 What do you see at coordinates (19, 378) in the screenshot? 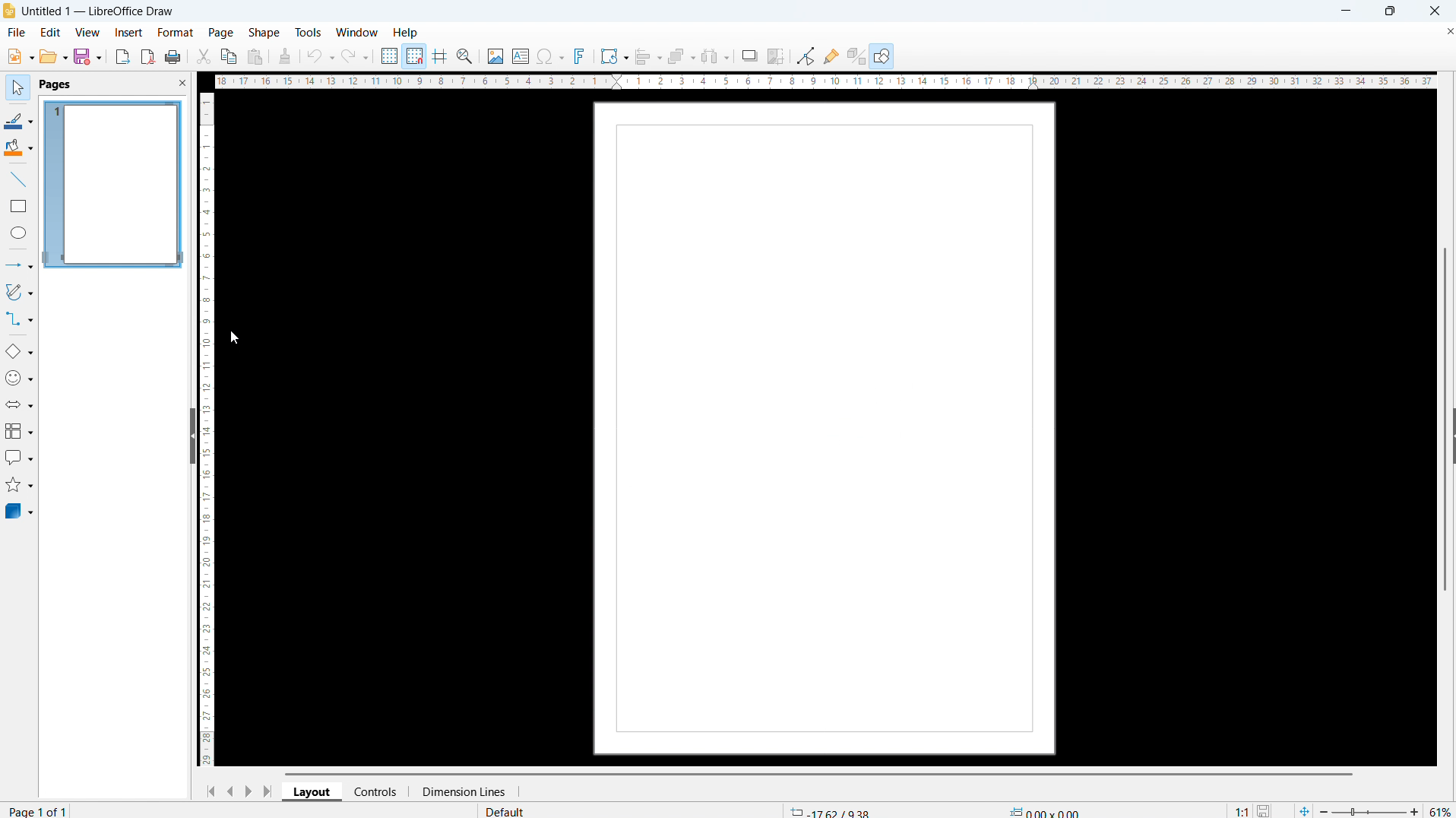
I see `symbol shapes` at bounding box center [19, 378].